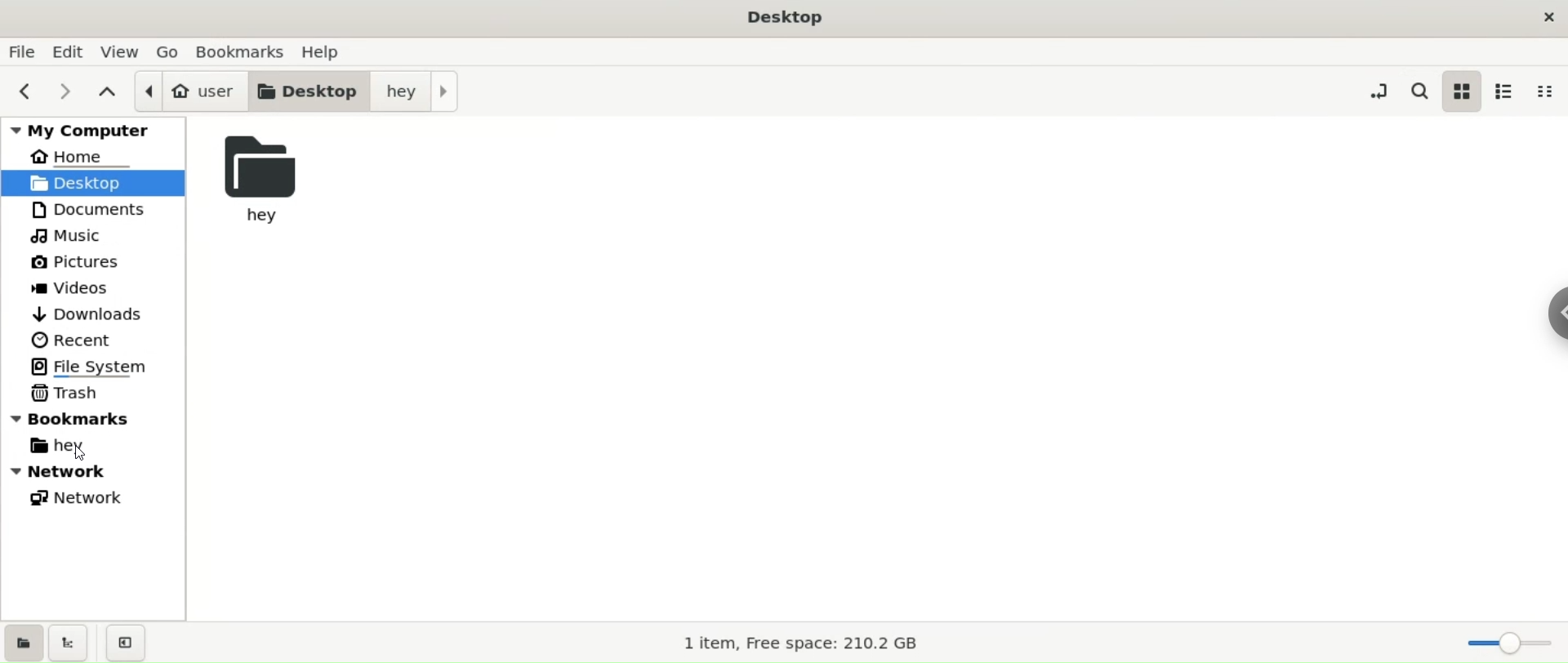  Describe the element at coordinates (327, 51) in the screenshot. I see `help` at that location.